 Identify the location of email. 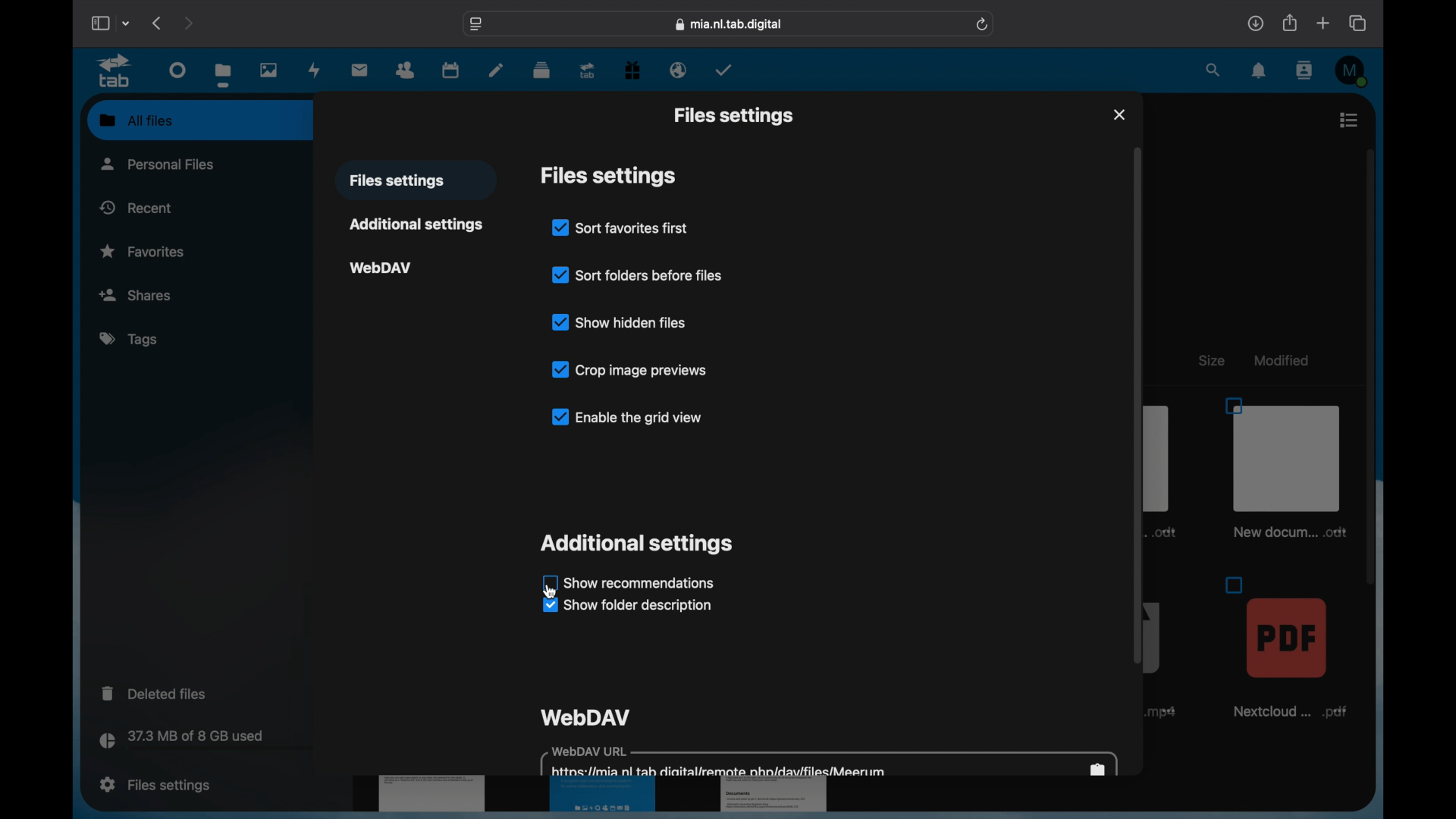
(679, 70).